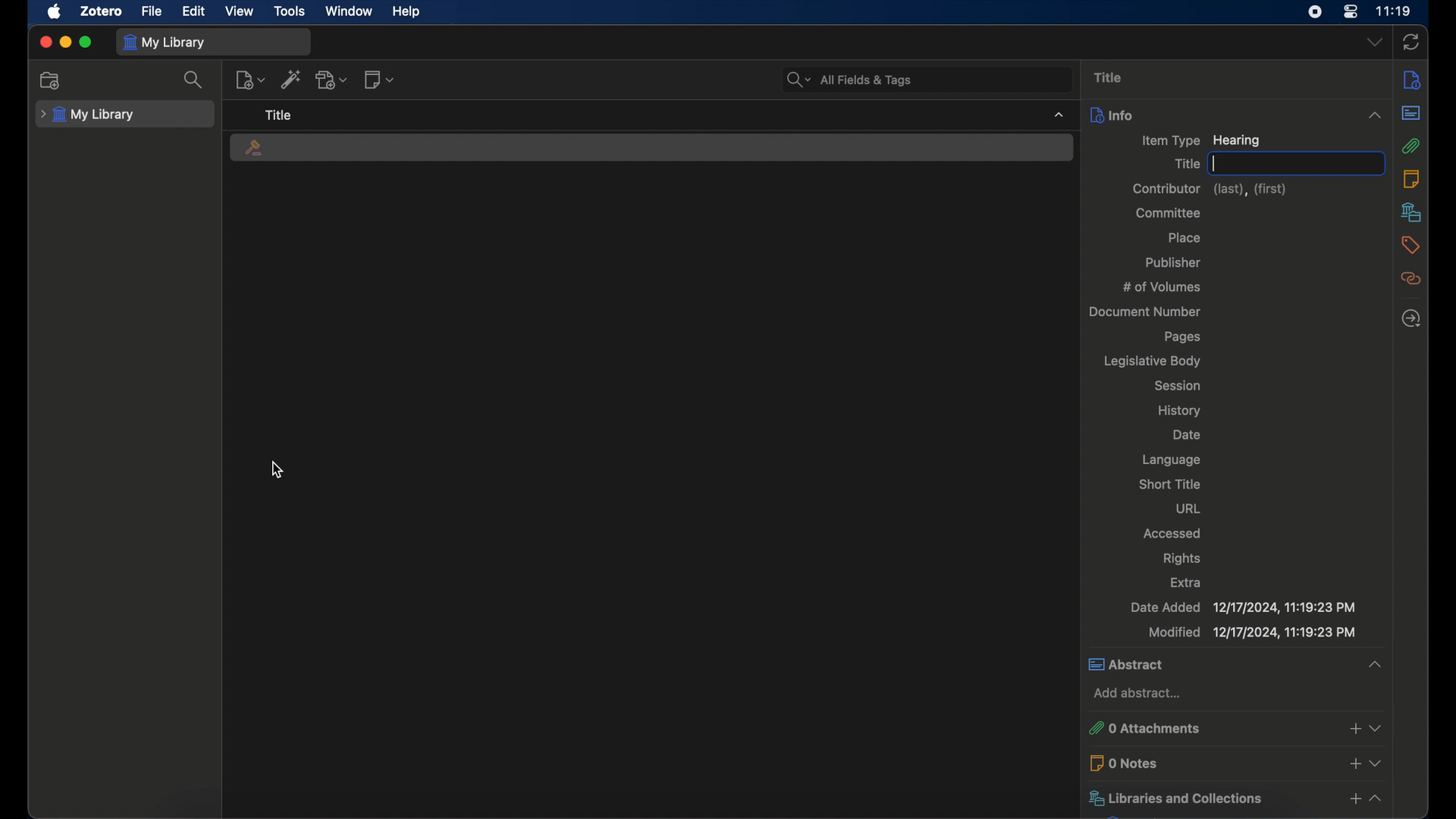 This screenshot has width=1456, height=819. Describe the element at coordinates (256, 149) in the screenshot. I see `hearing` at that location.